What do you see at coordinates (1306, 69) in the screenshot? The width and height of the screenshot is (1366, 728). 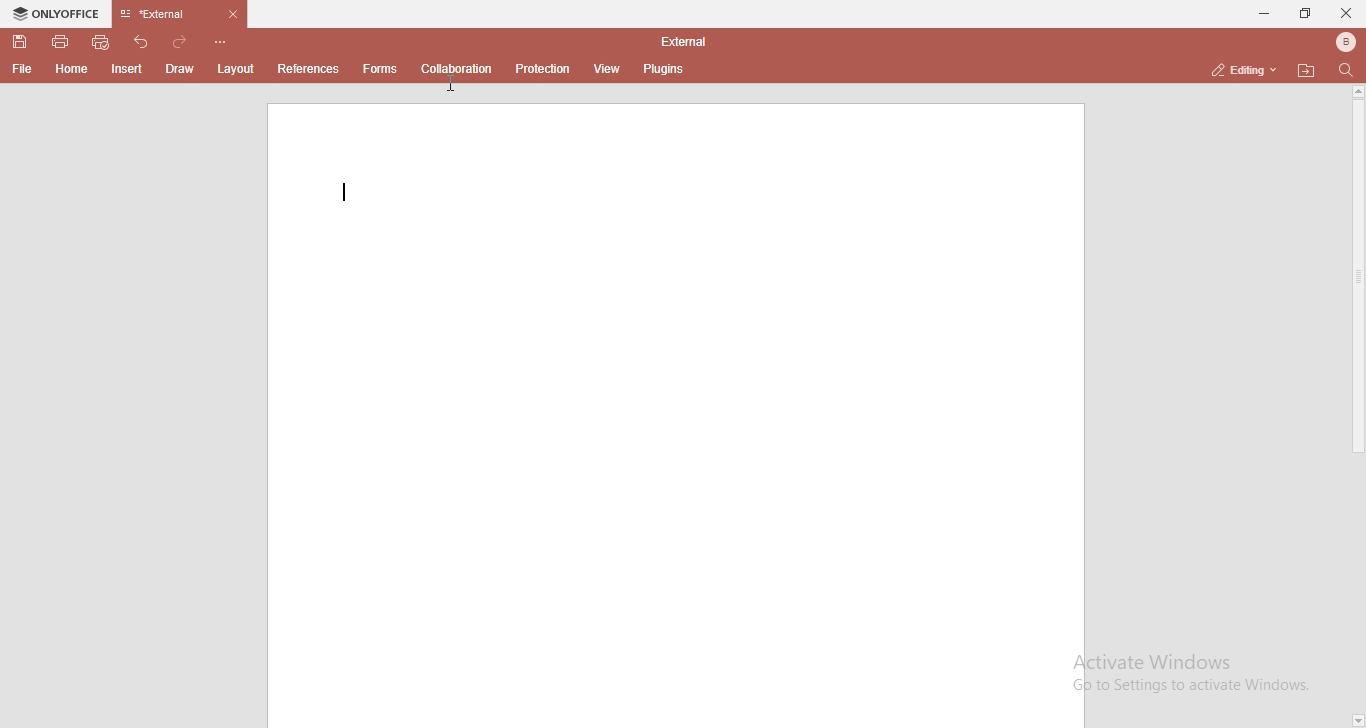 I see `open file location` at bounding box center [1306, 69].